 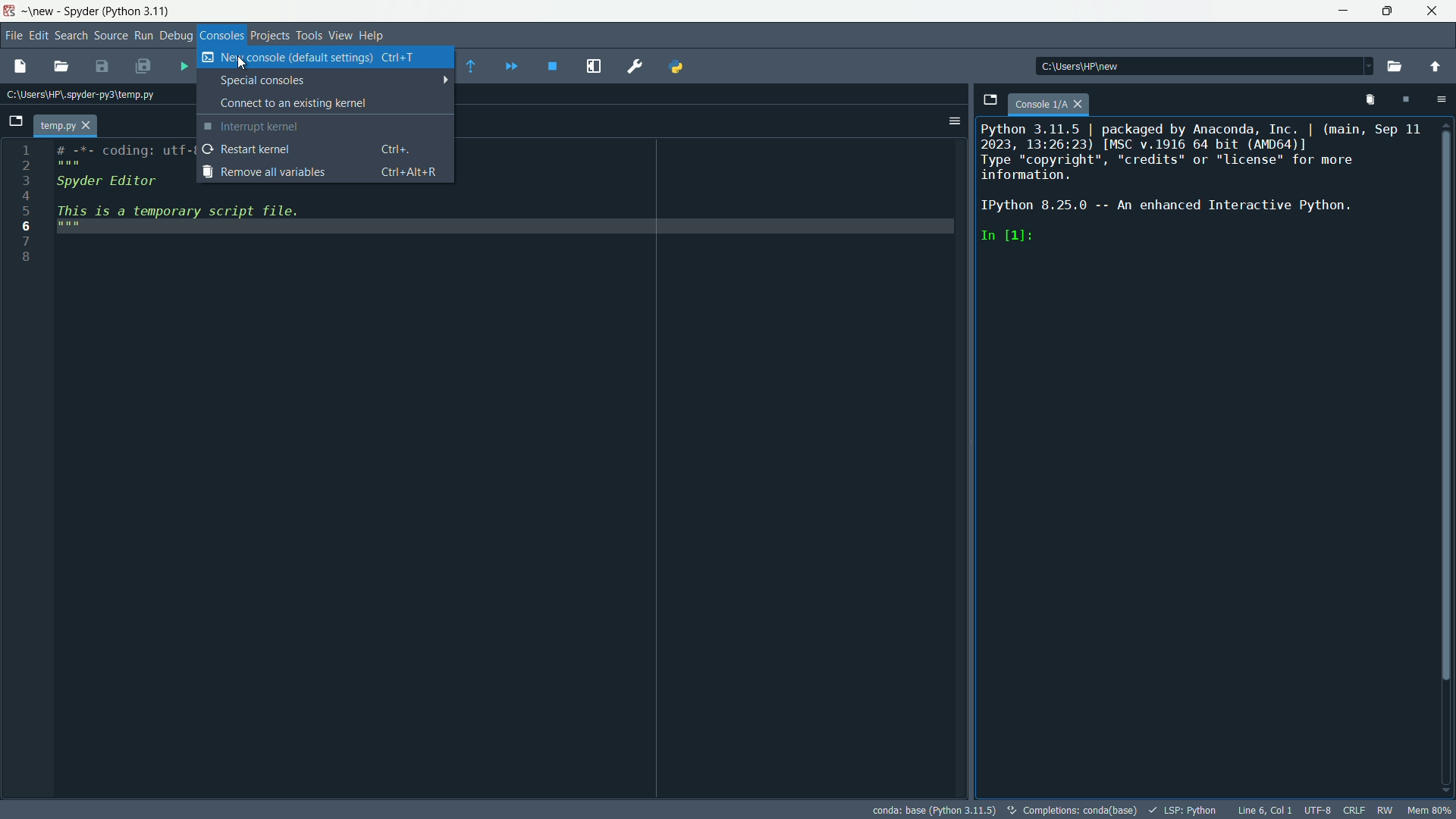 I want to click on encoding, so click(x=1319, y=810).